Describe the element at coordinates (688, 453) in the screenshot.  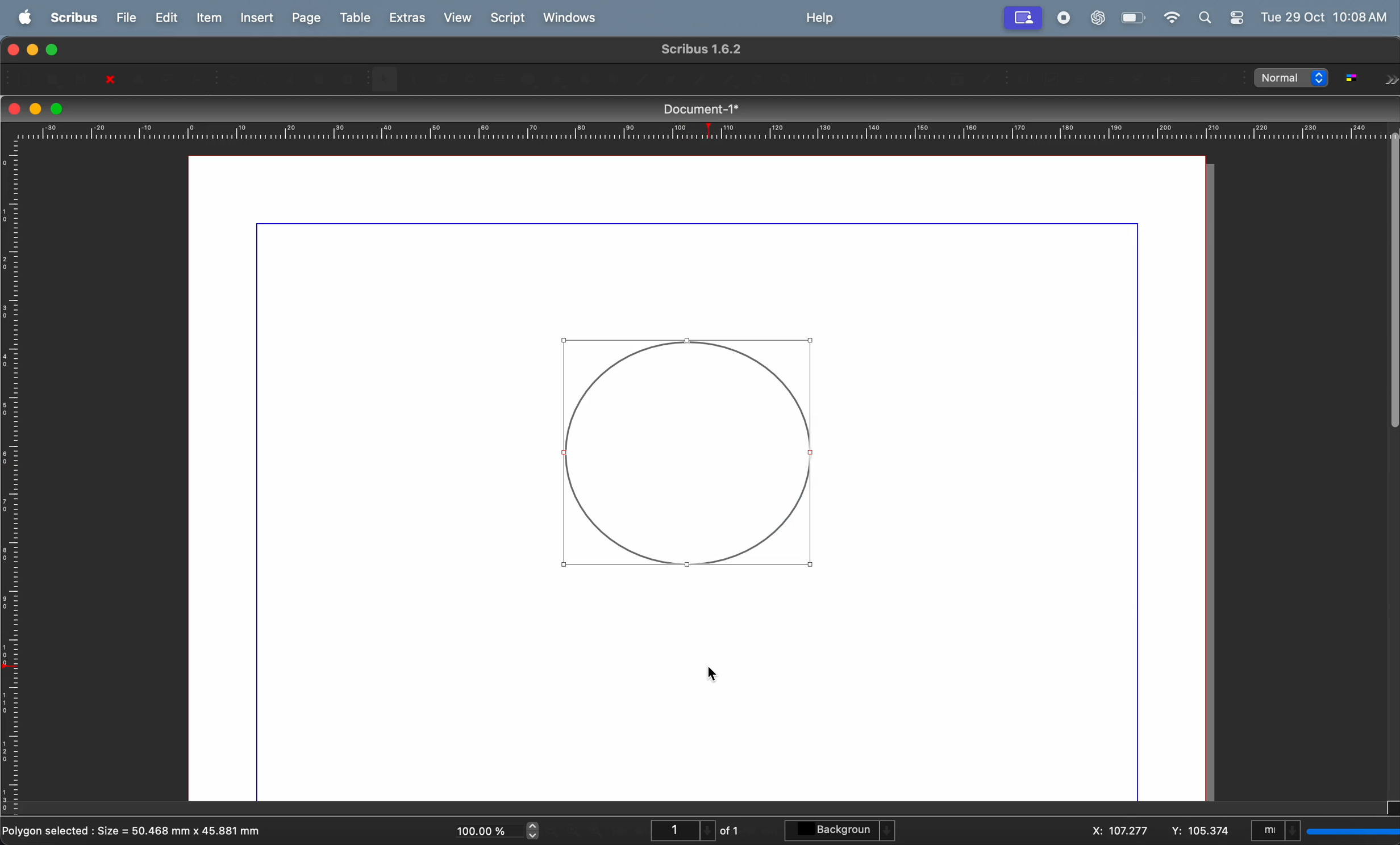
I see `circle` at that location.